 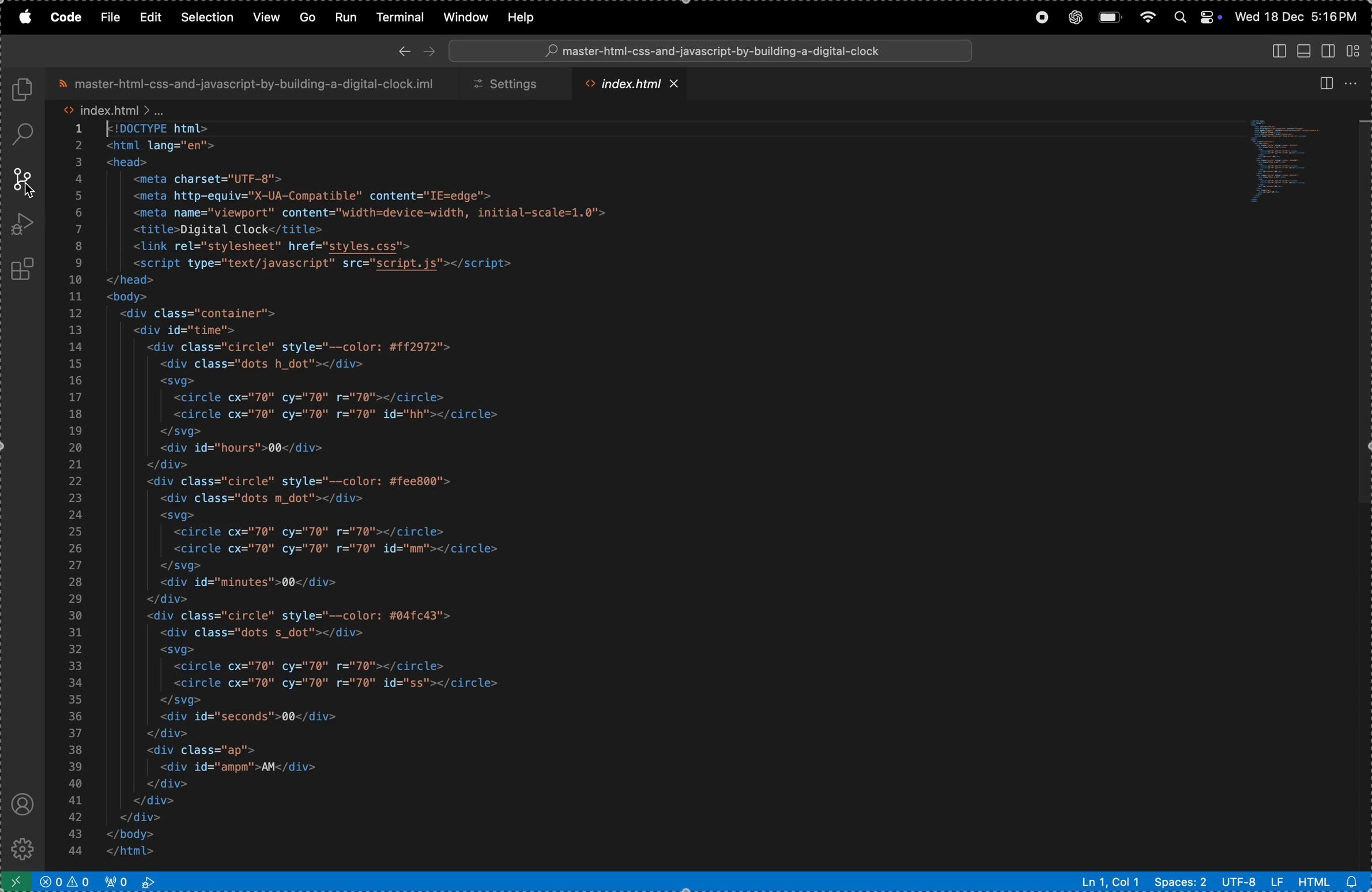 I want to click on master file , so click(x=253, y=84).